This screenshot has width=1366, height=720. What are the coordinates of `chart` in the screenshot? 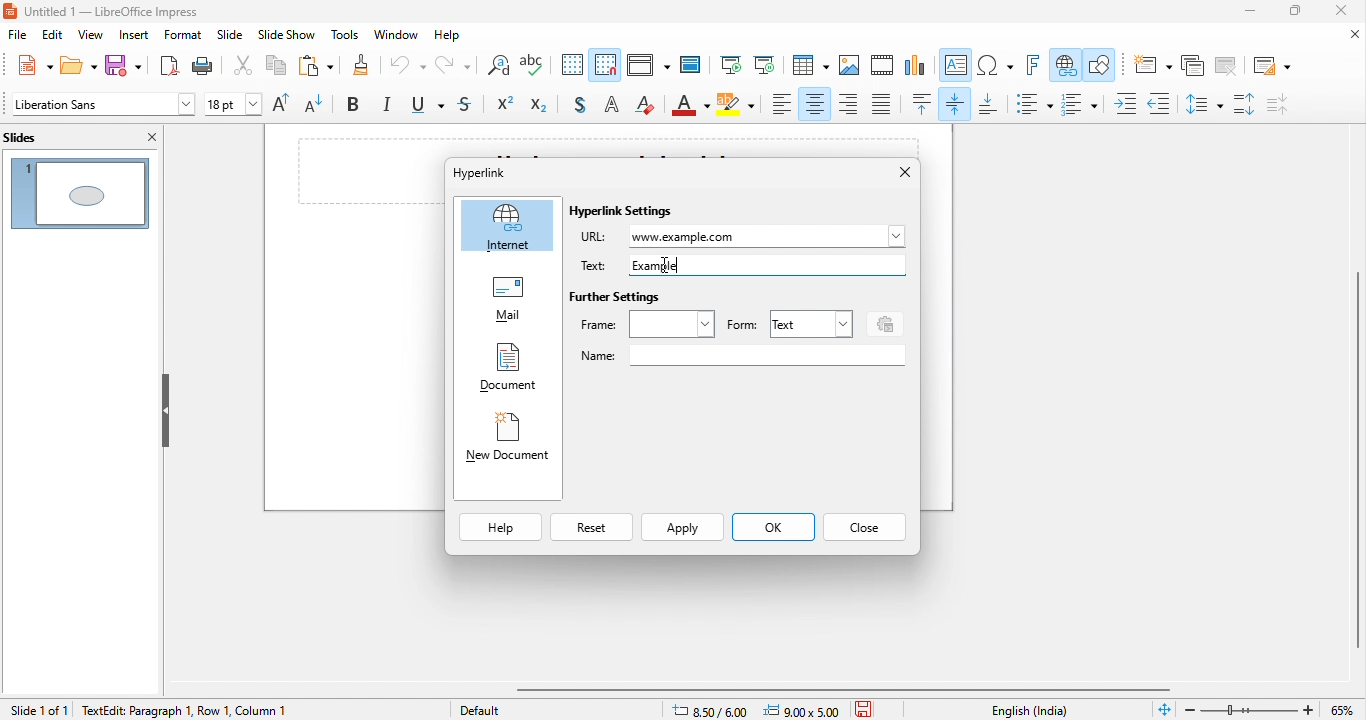 It's located at (916, 67).